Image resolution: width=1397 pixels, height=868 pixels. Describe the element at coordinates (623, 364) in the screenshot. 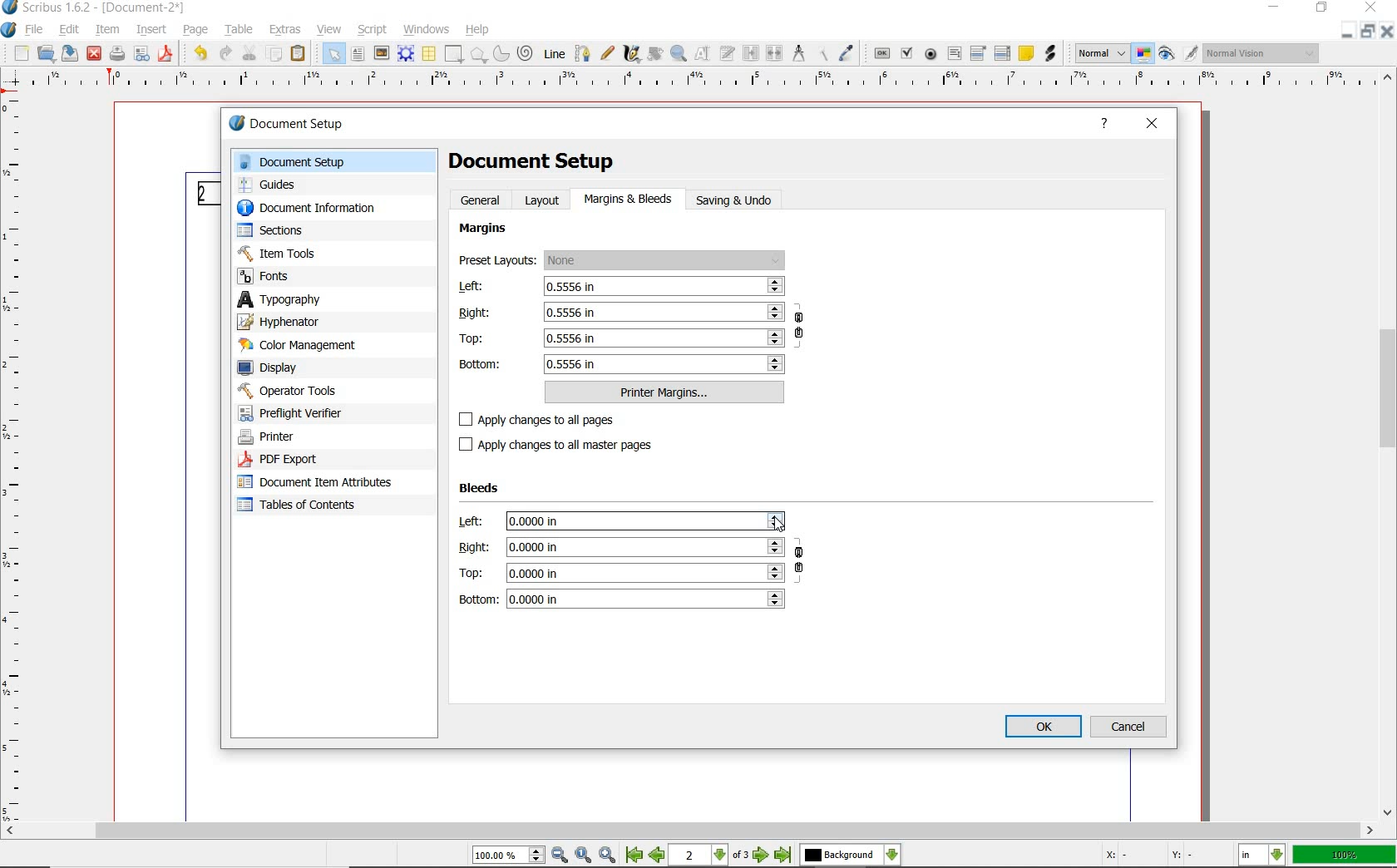

I see `bottom` at that location.